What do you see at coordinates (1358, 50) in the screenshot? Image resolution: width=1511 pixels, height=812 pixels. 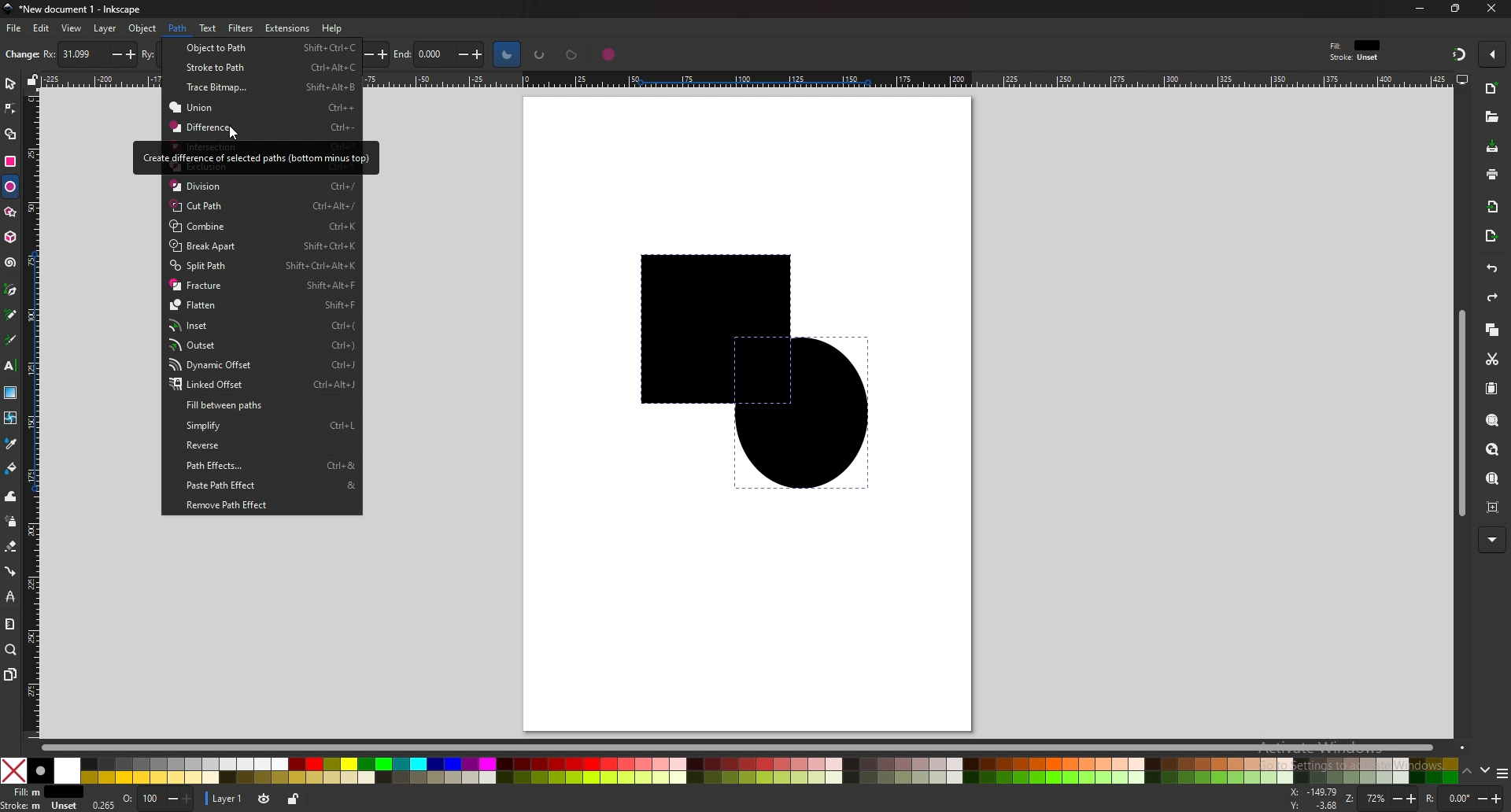 I see `style` at bounding box center [1358, 50].